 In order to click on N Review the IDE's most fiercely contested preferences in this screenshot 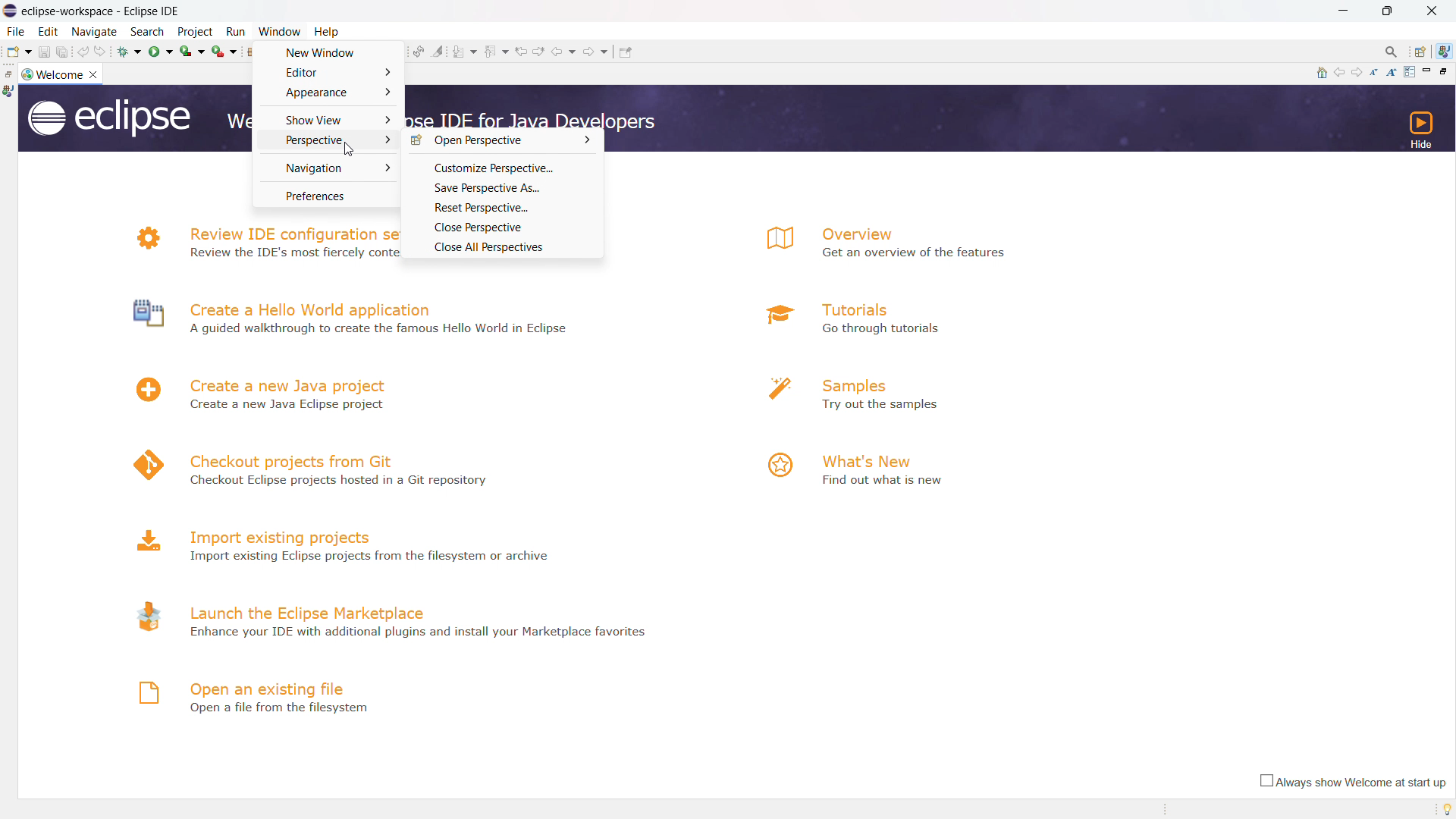, I will do `click(291, 256)`.